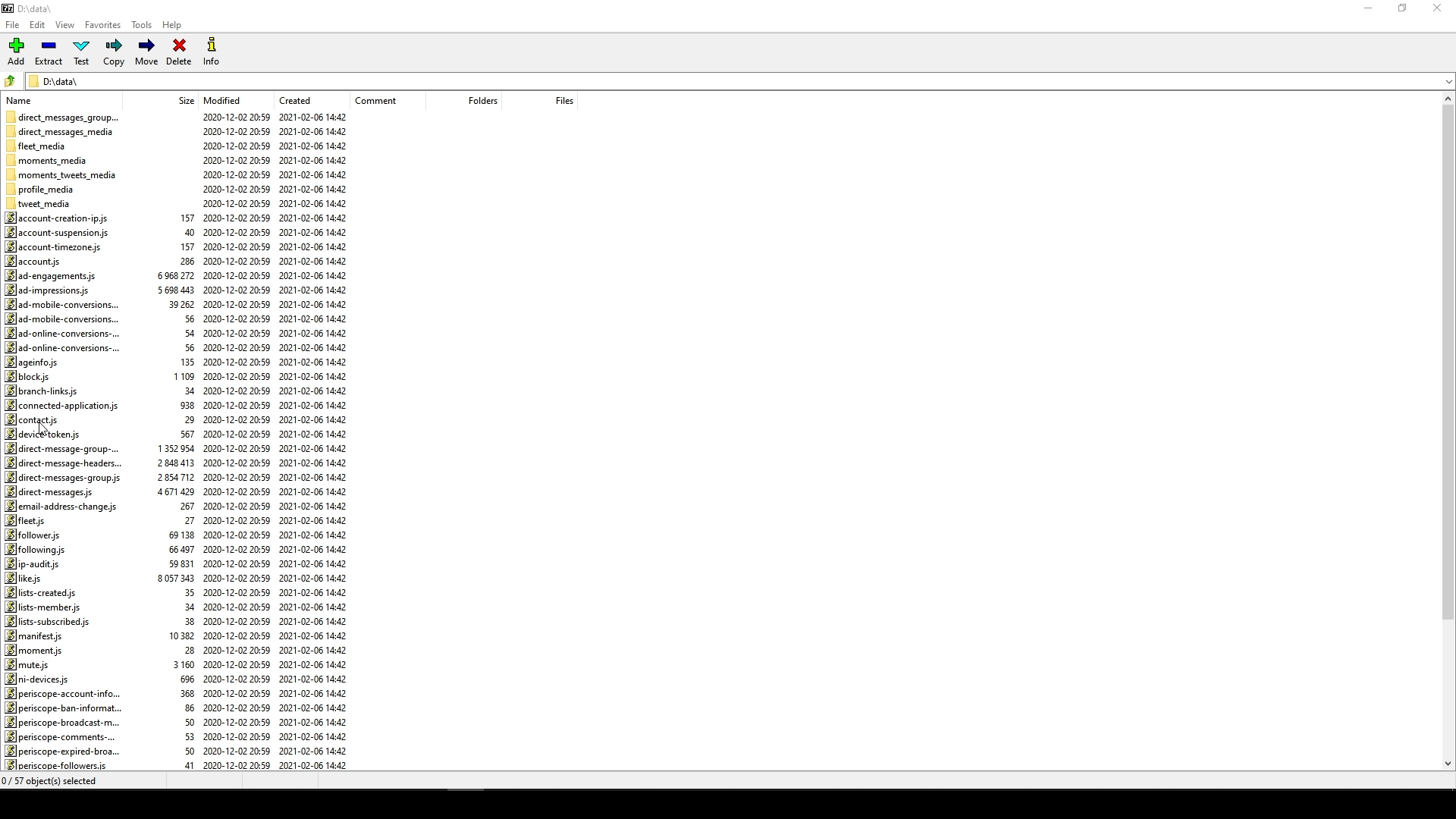  Describe the element at coordinates (45, 592) in the screenshot. I see `lists-created.js` at that location.